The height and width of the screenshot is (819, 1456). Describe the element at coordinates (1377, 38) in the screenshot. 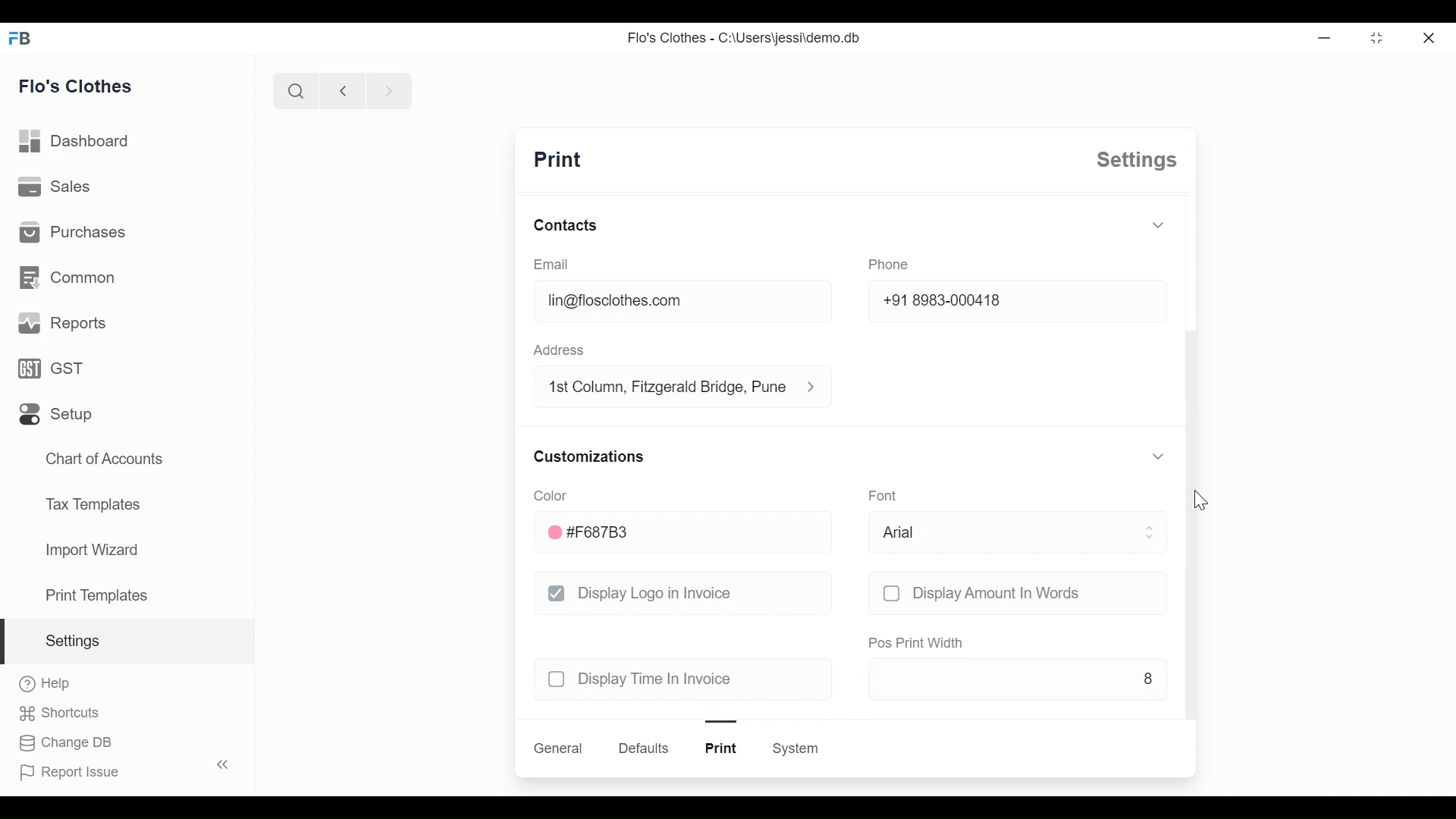

I see `toggle between form and full width` at that location.